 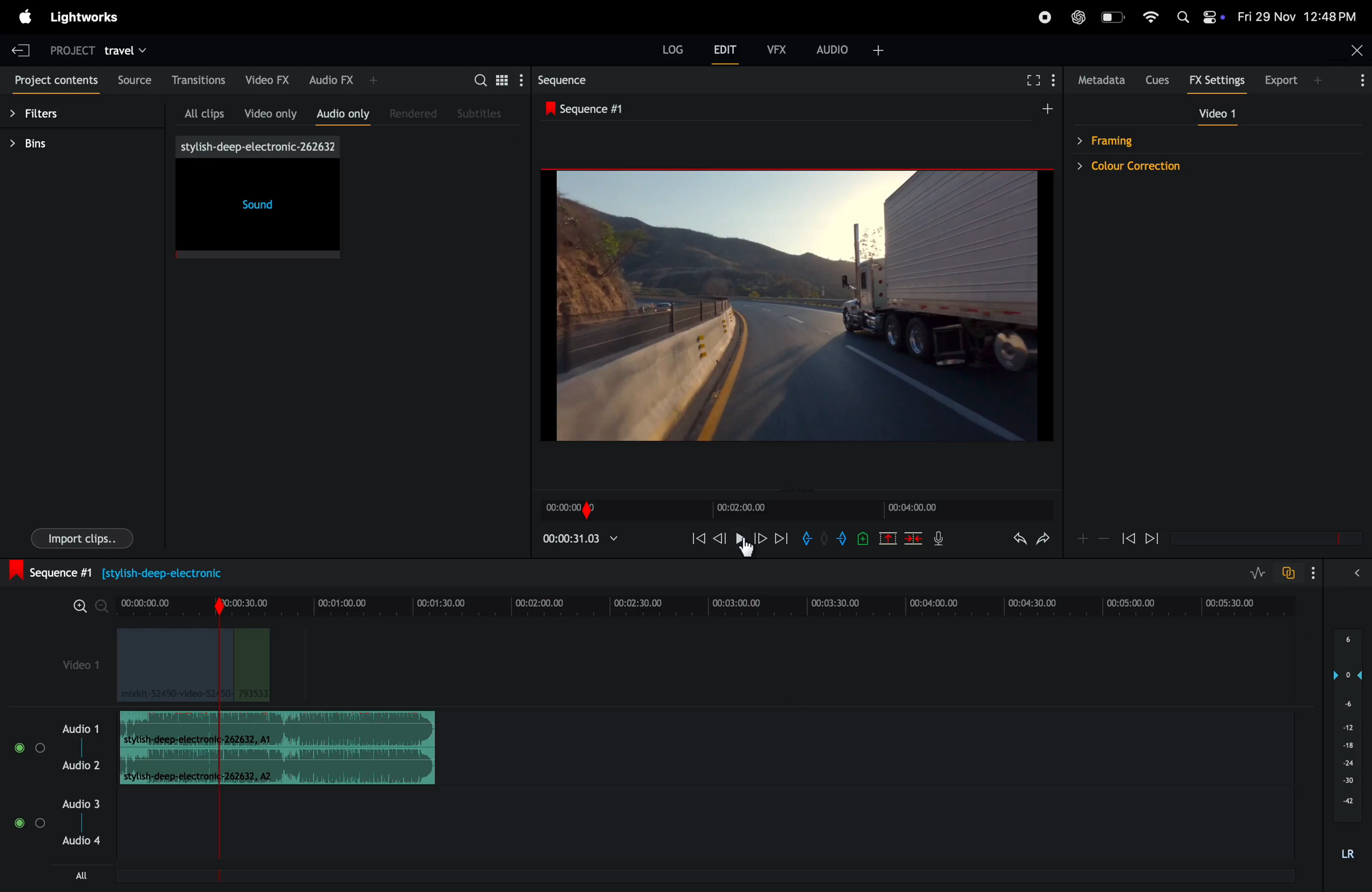 What do you see at coordinates (416, 113) in the screenshot?
I see `rendered` at bounding box center [416, 113].